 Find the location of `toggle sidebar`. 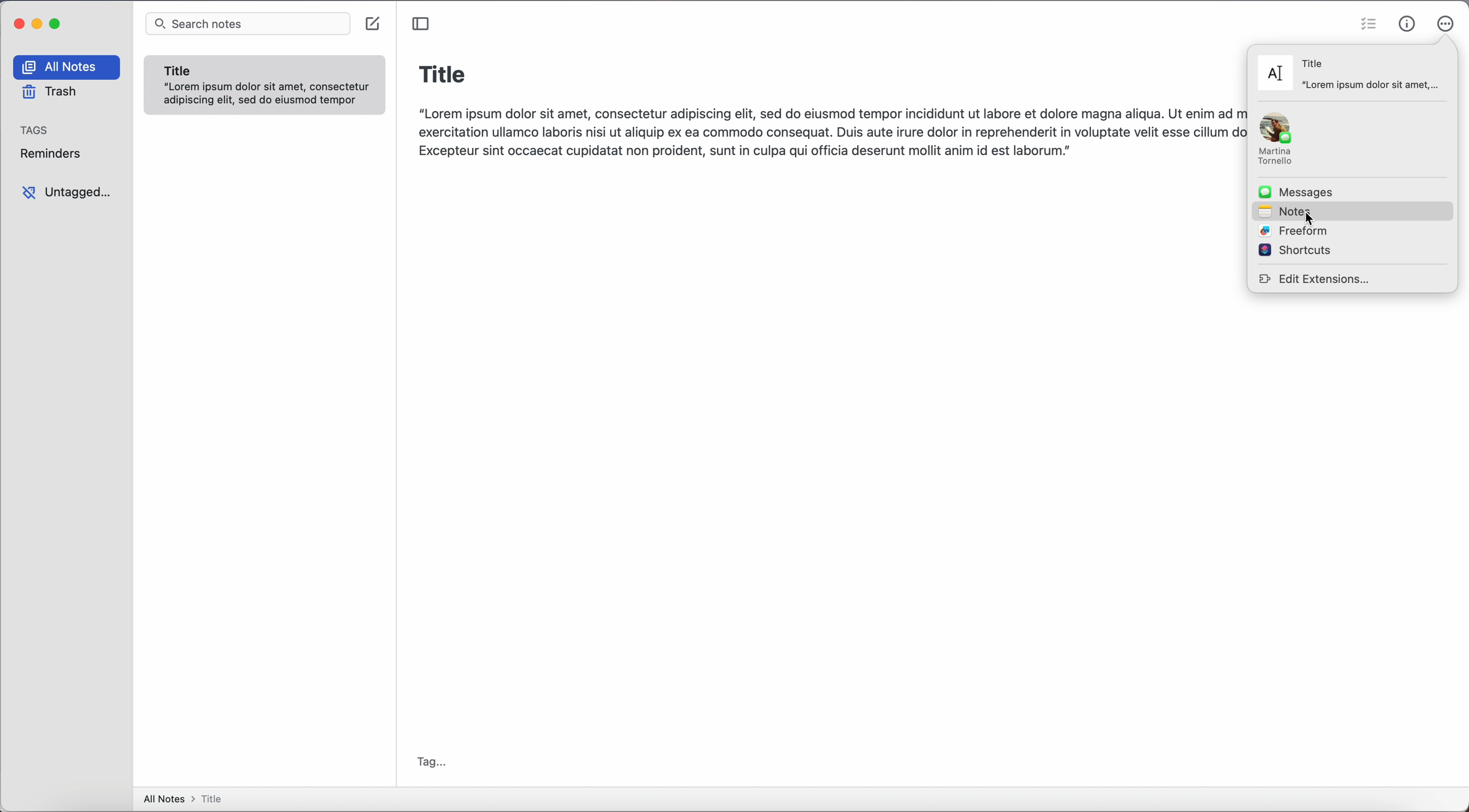

toggle sidebar is located at coordinates (420, 23).